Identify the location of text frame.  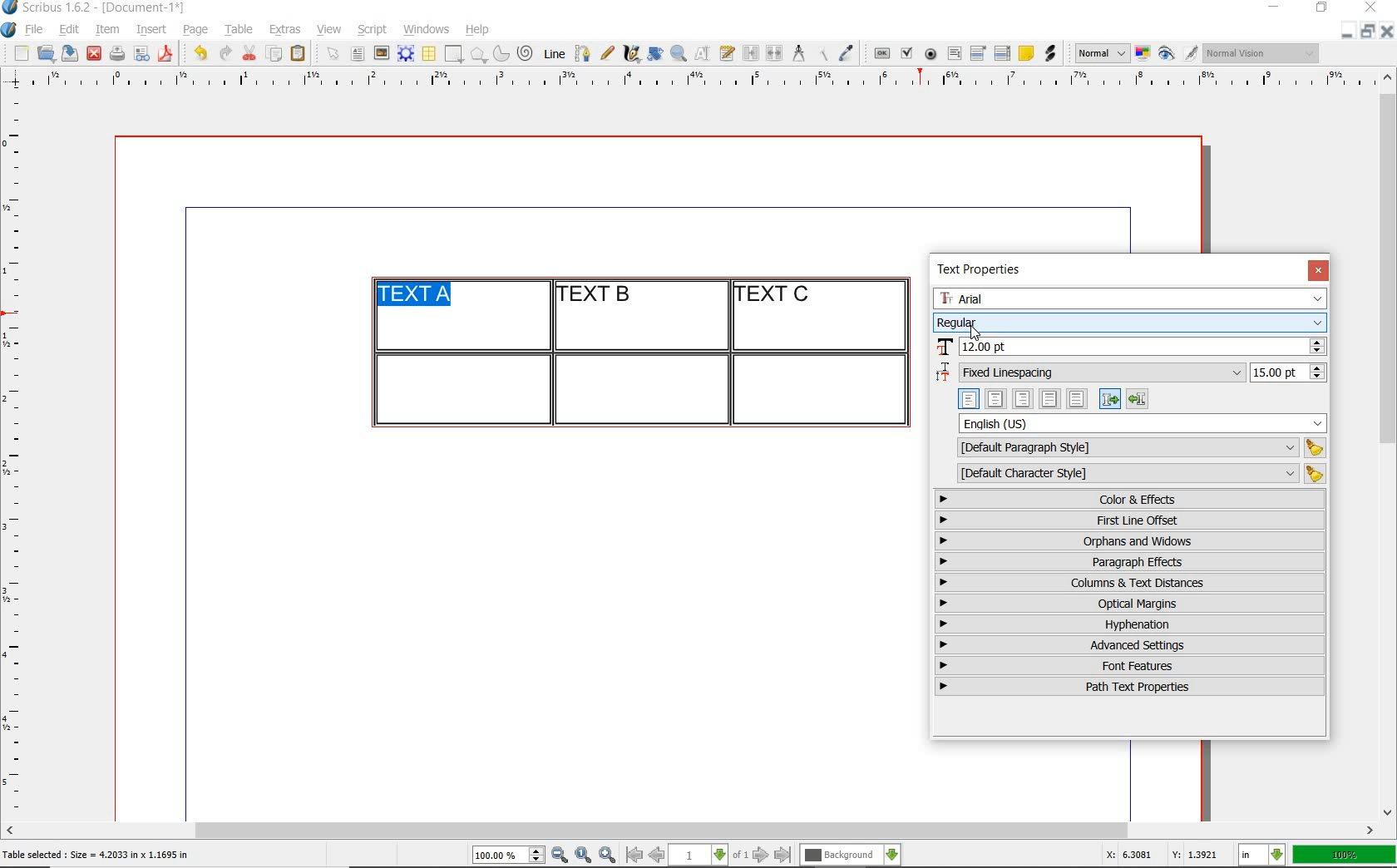
(357, 55).